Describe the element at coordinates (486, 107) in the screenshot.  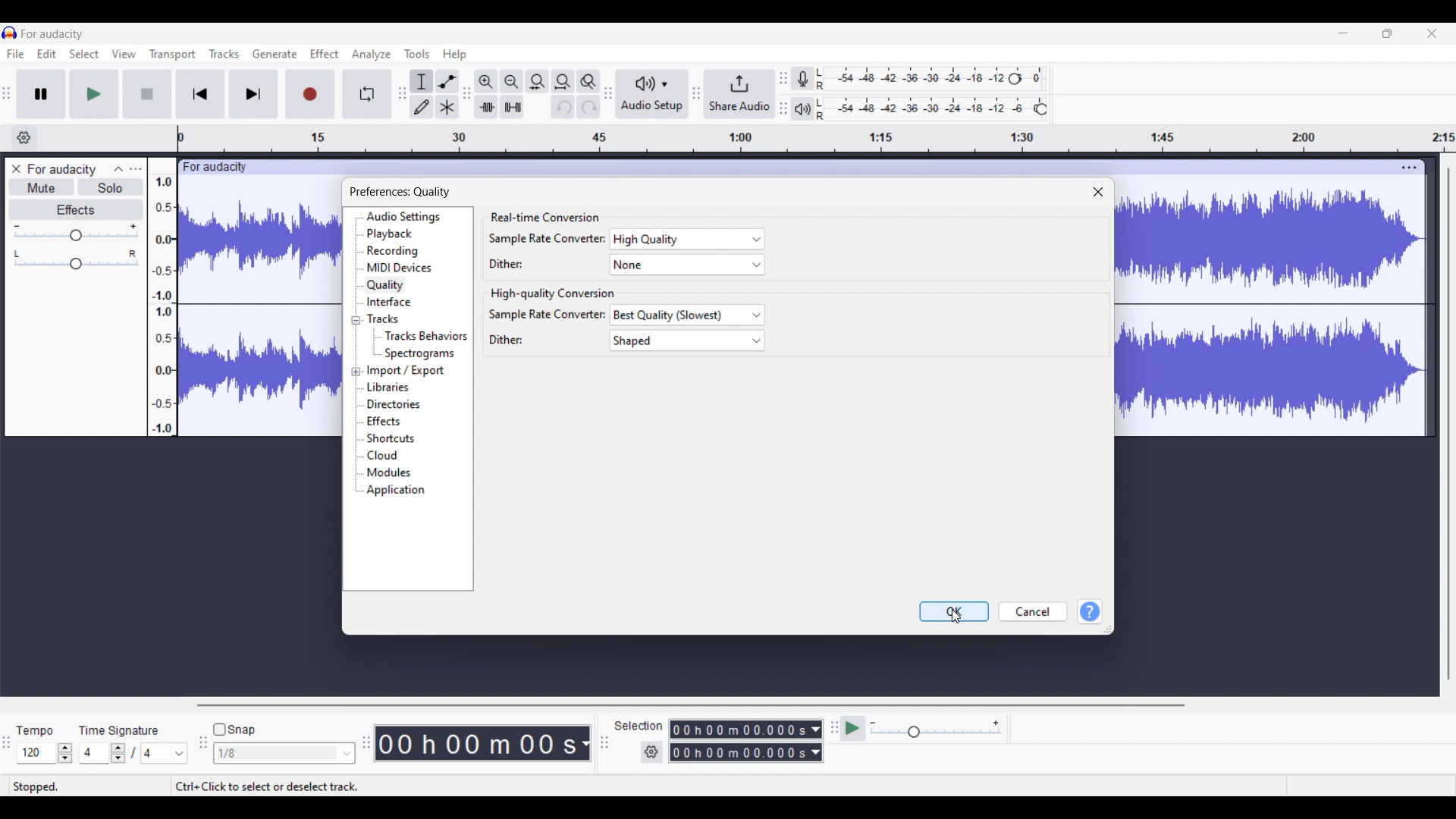
I see `Trim audio outside selection` at that location.